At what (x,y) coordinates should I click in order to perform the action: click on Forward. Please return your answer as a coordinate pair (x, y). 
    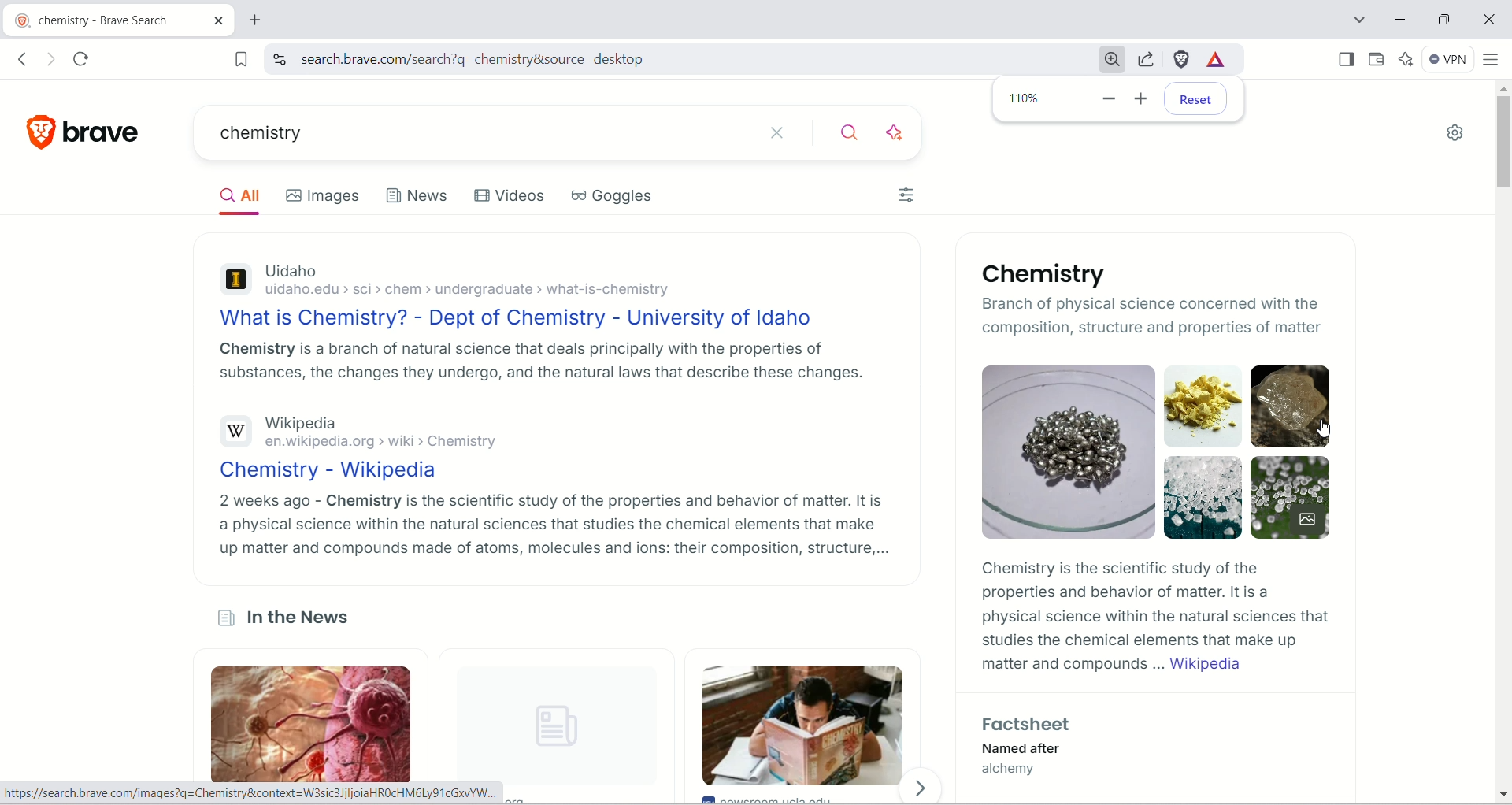
    Looking at the image, I should click on (928, 788).